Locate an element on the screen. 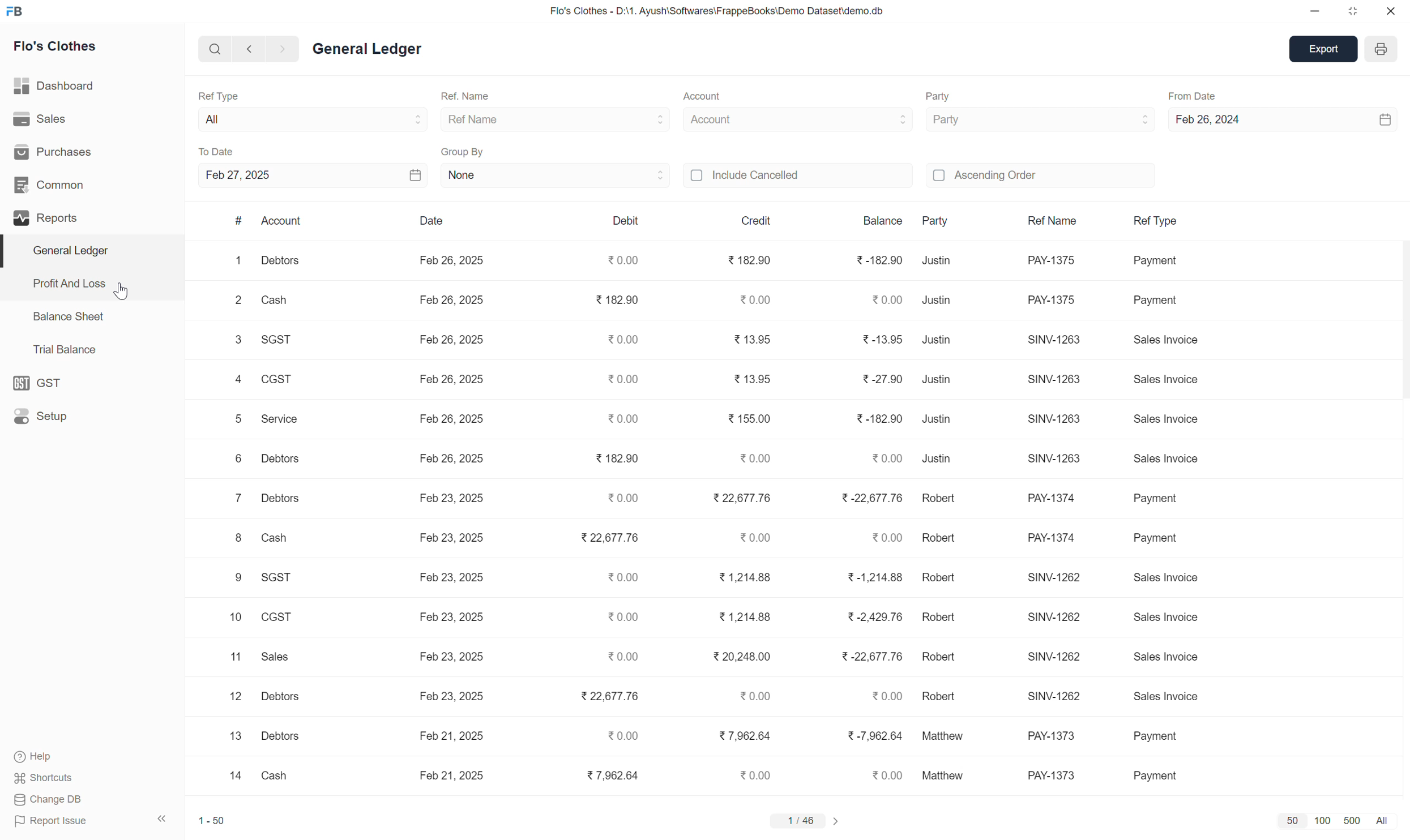  ₹0.00 is located at coordinates (618, 417).